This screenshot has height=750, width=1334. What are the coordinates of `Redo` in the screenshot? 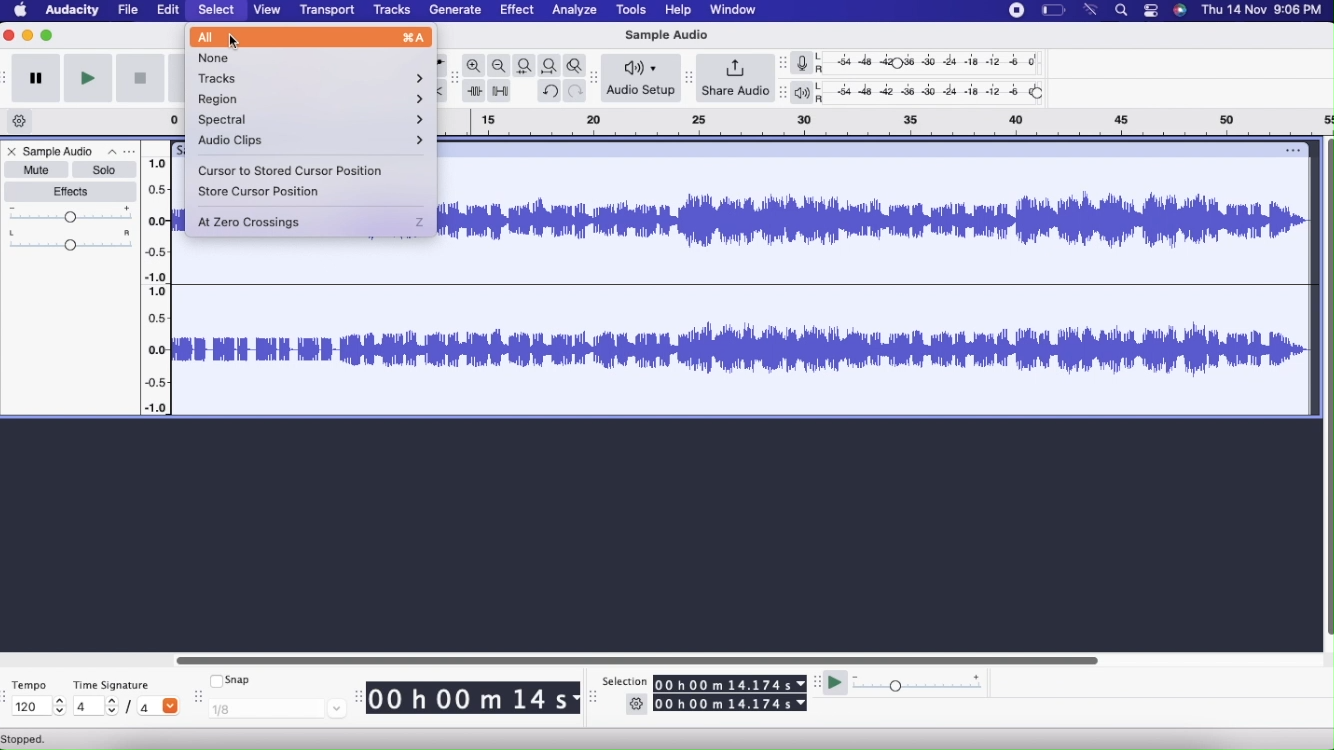 It's located at (576, 91).